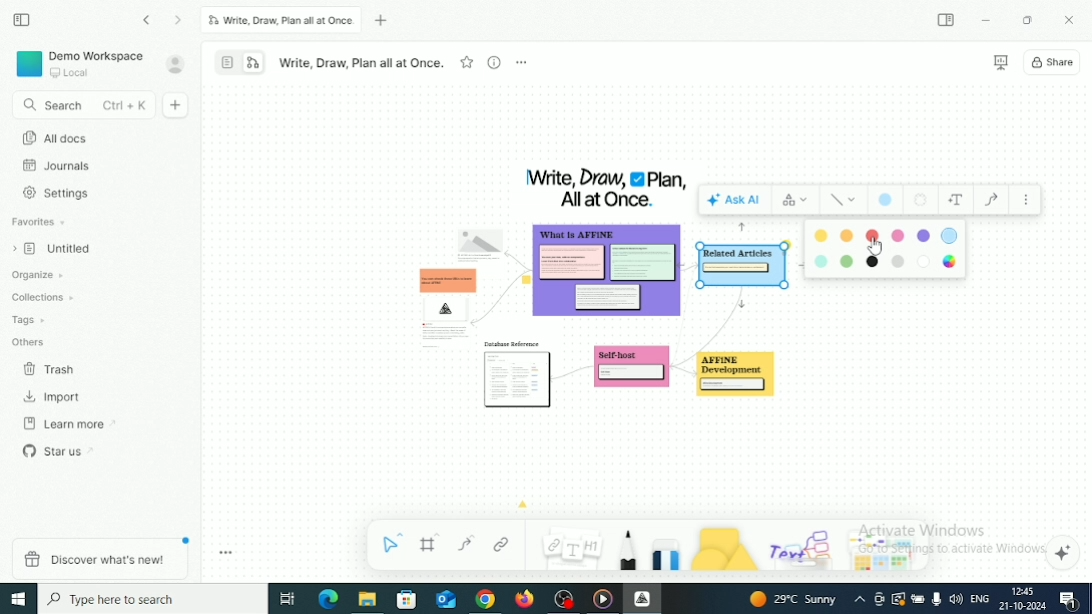 The image size is (1092, 614). What do you see at coordinates (1000, 63) in the screenshot?
I see `Presentation` at bounding box center [1000, 63].